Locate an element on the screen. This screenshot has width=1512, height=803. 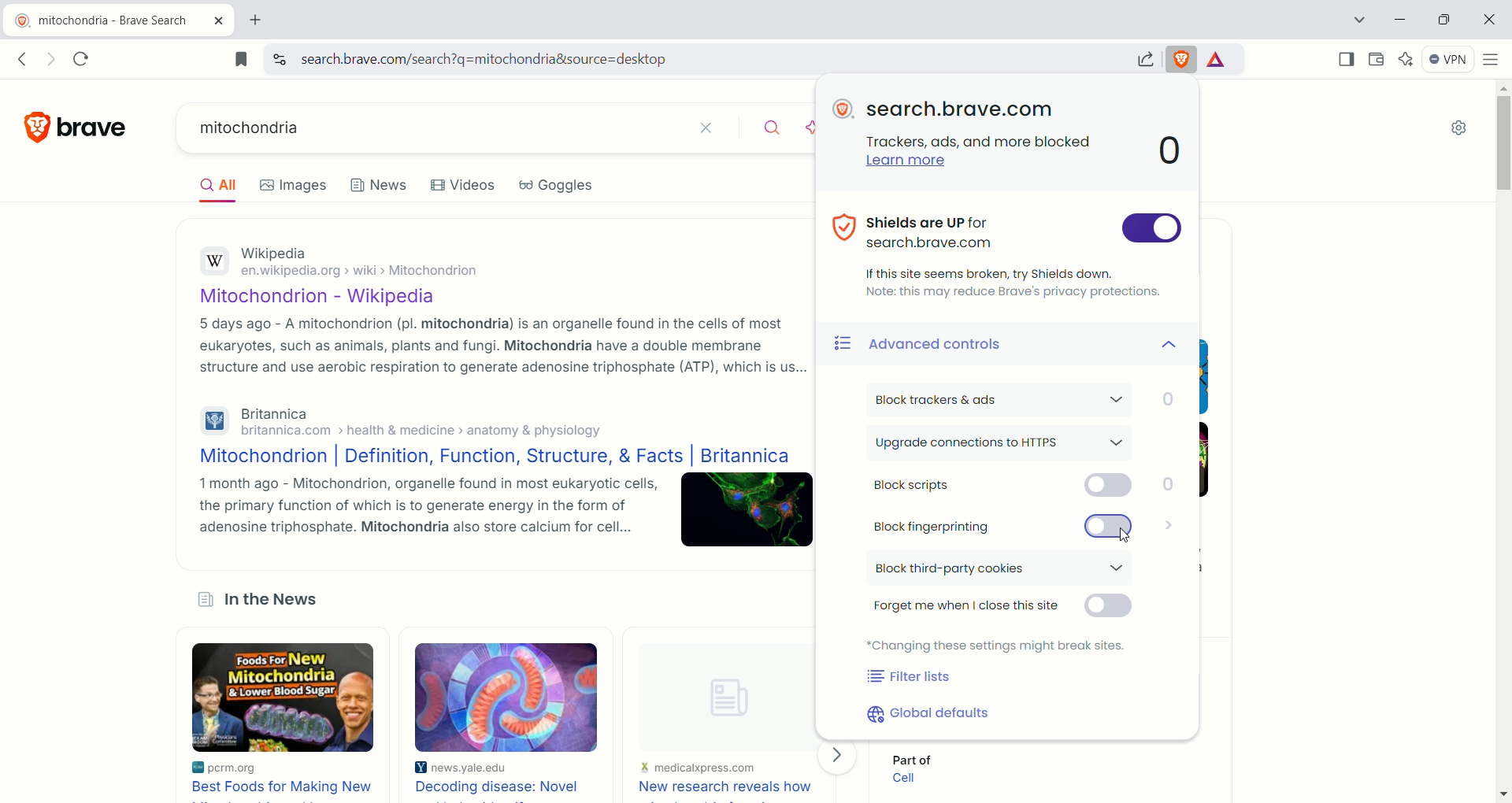
brave shield is located at coordinates (1184, 57).